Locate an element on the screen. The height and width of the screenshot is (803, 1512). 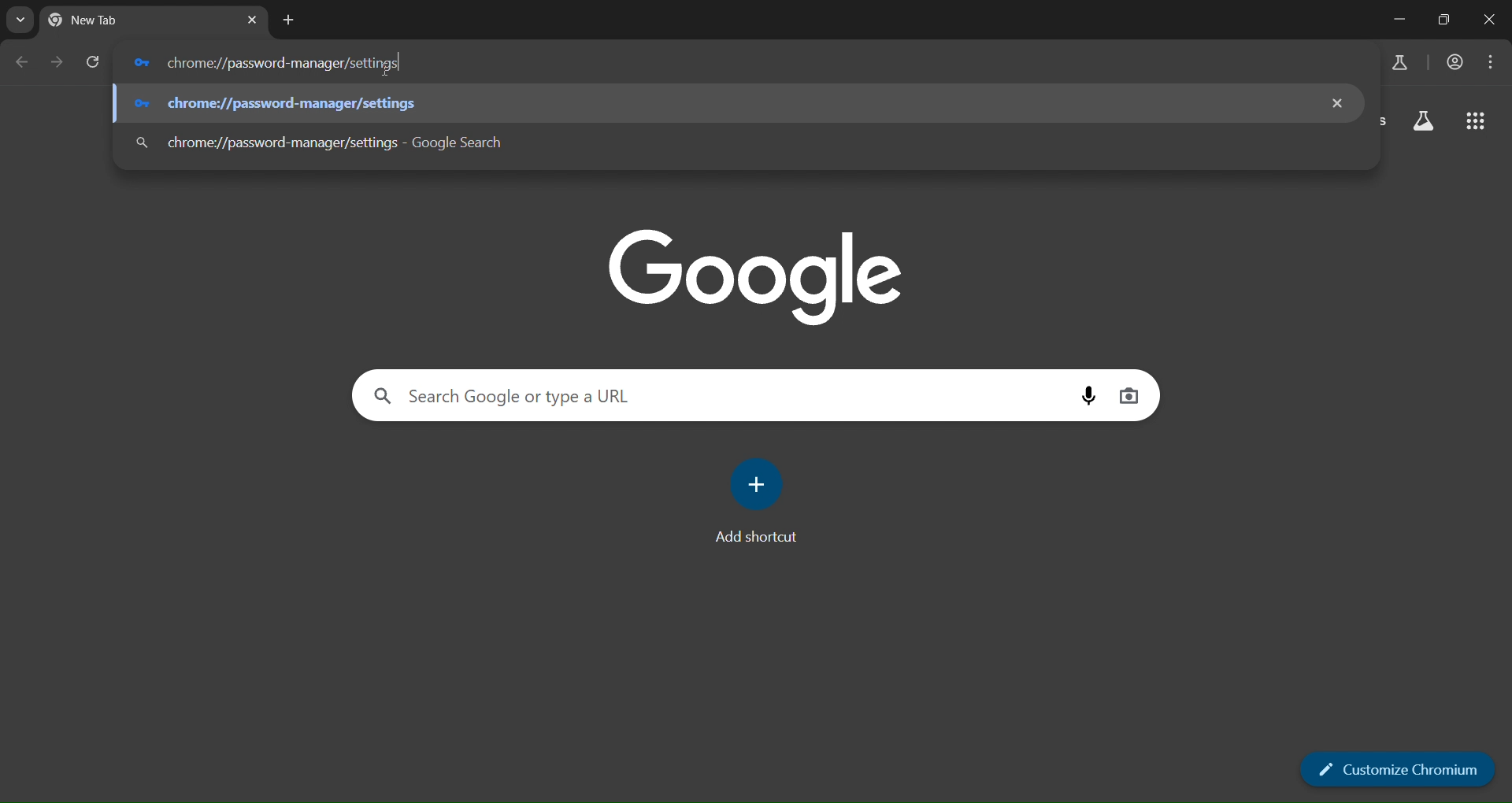
new tab is located at coordinates (289, 20).